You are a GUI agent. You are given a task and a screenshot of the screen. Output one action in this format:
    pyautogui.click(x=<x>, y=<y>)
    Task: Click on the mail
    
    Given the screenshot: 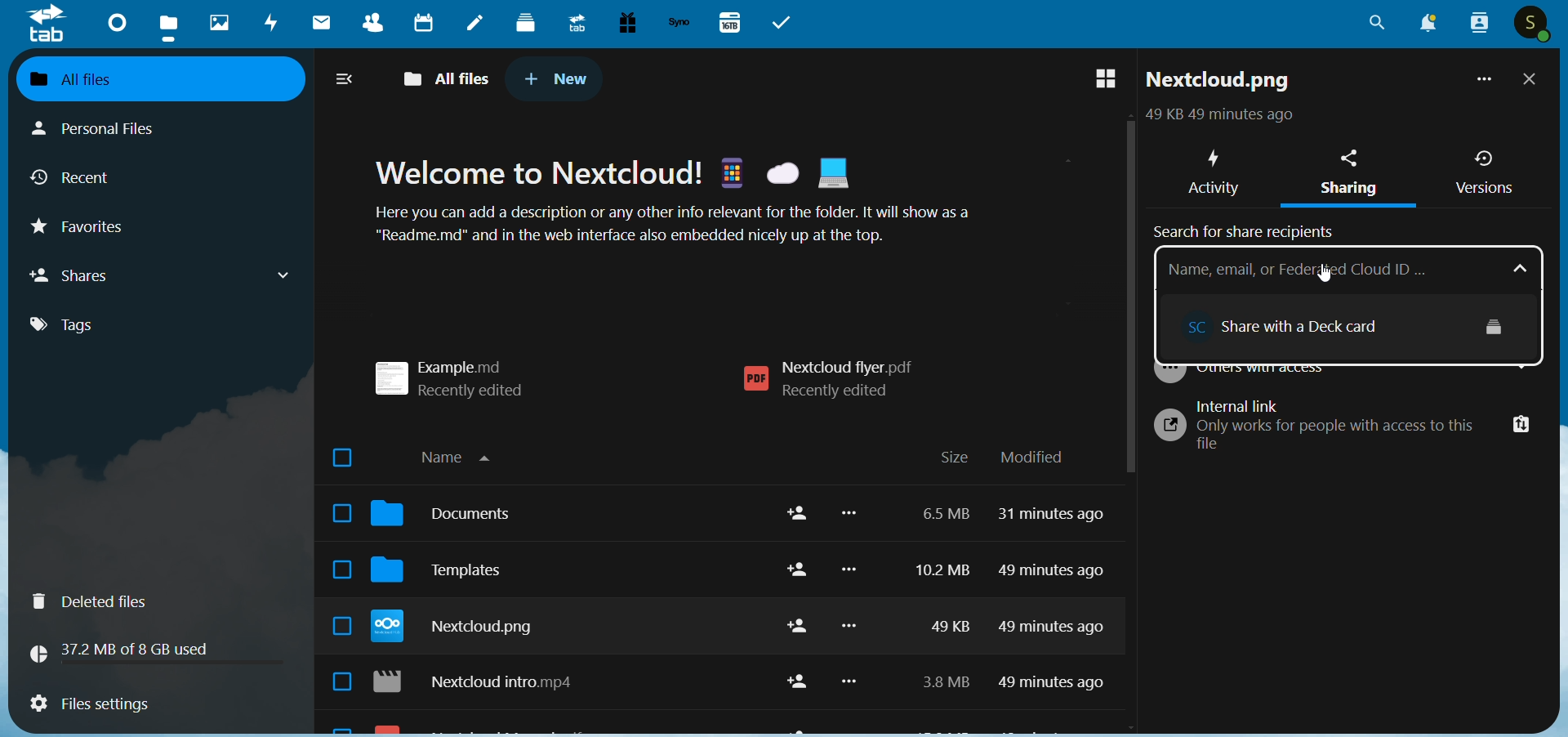 What is the action you would take?
    pyautogui.click(x=318, y=25)
    